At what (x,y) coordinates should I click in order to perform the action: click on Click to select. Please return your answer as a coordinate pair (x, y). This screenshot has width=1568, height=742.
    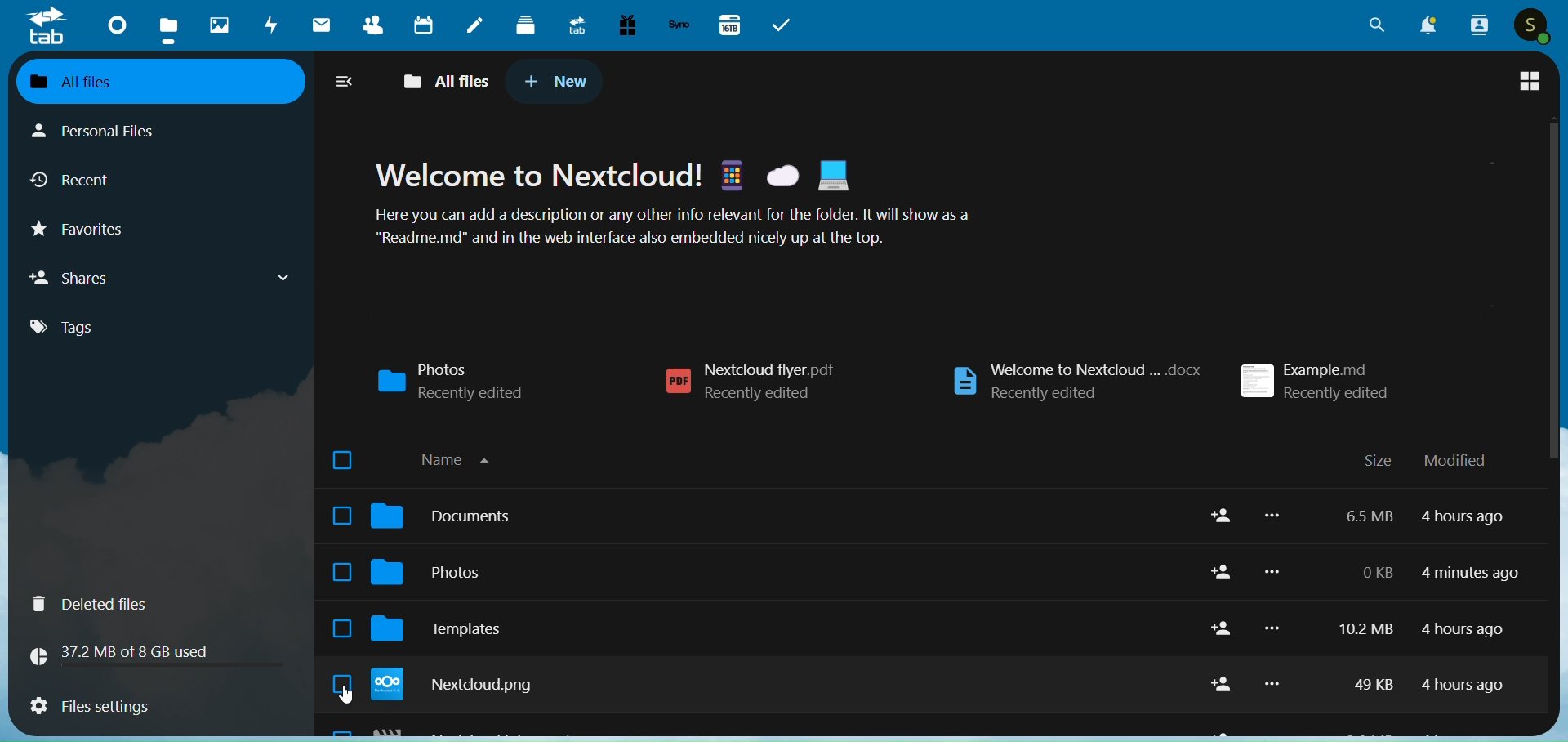
    Looking at the image, I should click on (342, 515).